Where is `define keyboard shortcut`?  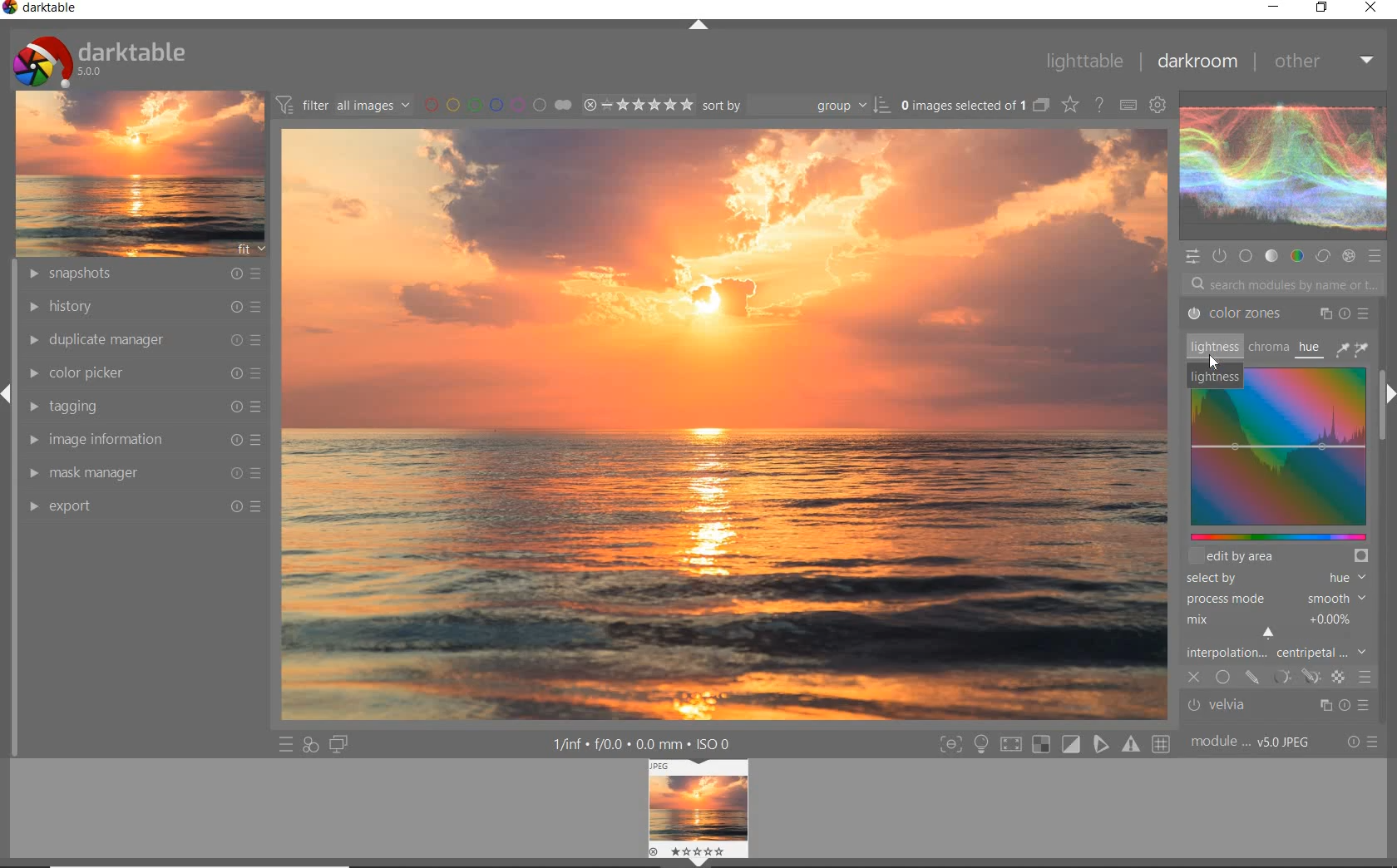
define keyboard shortcut is located at coordinates (1127, 104).